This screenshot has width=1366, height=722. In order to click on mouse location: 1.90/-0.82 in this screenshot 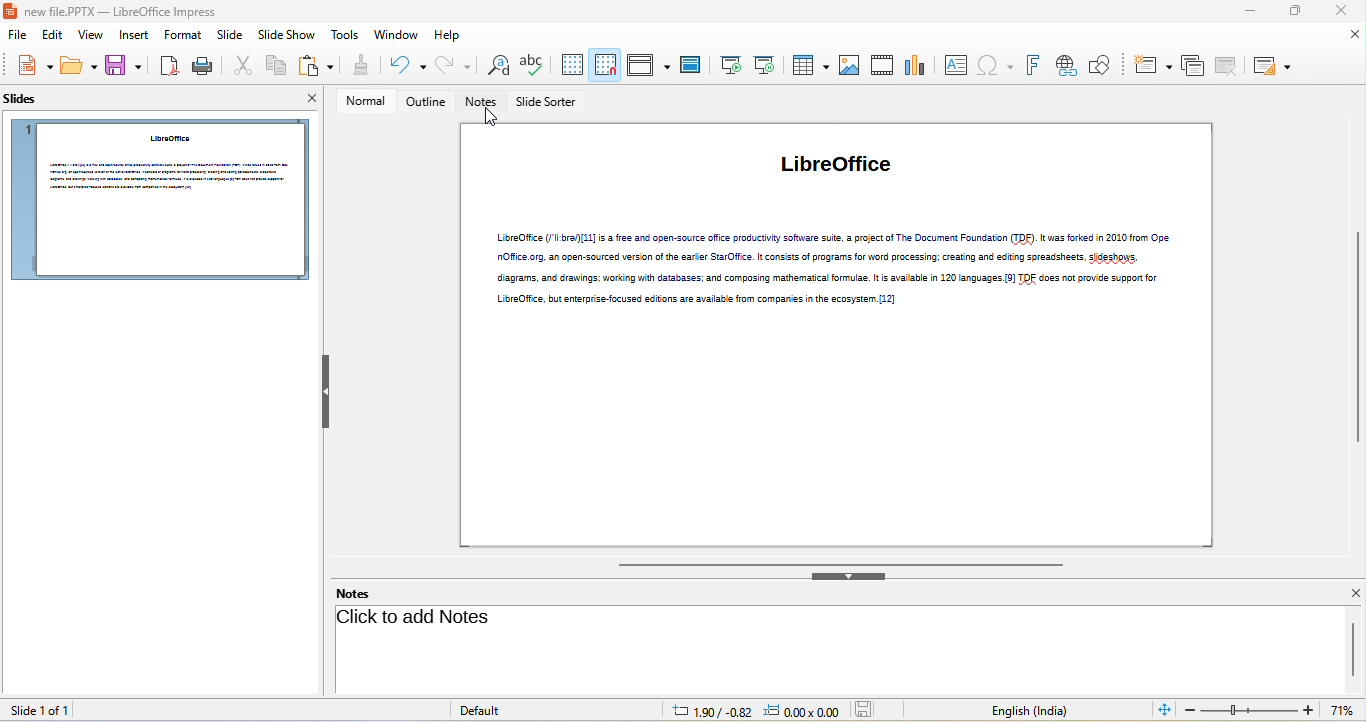, I will do `click(710, 710)`.